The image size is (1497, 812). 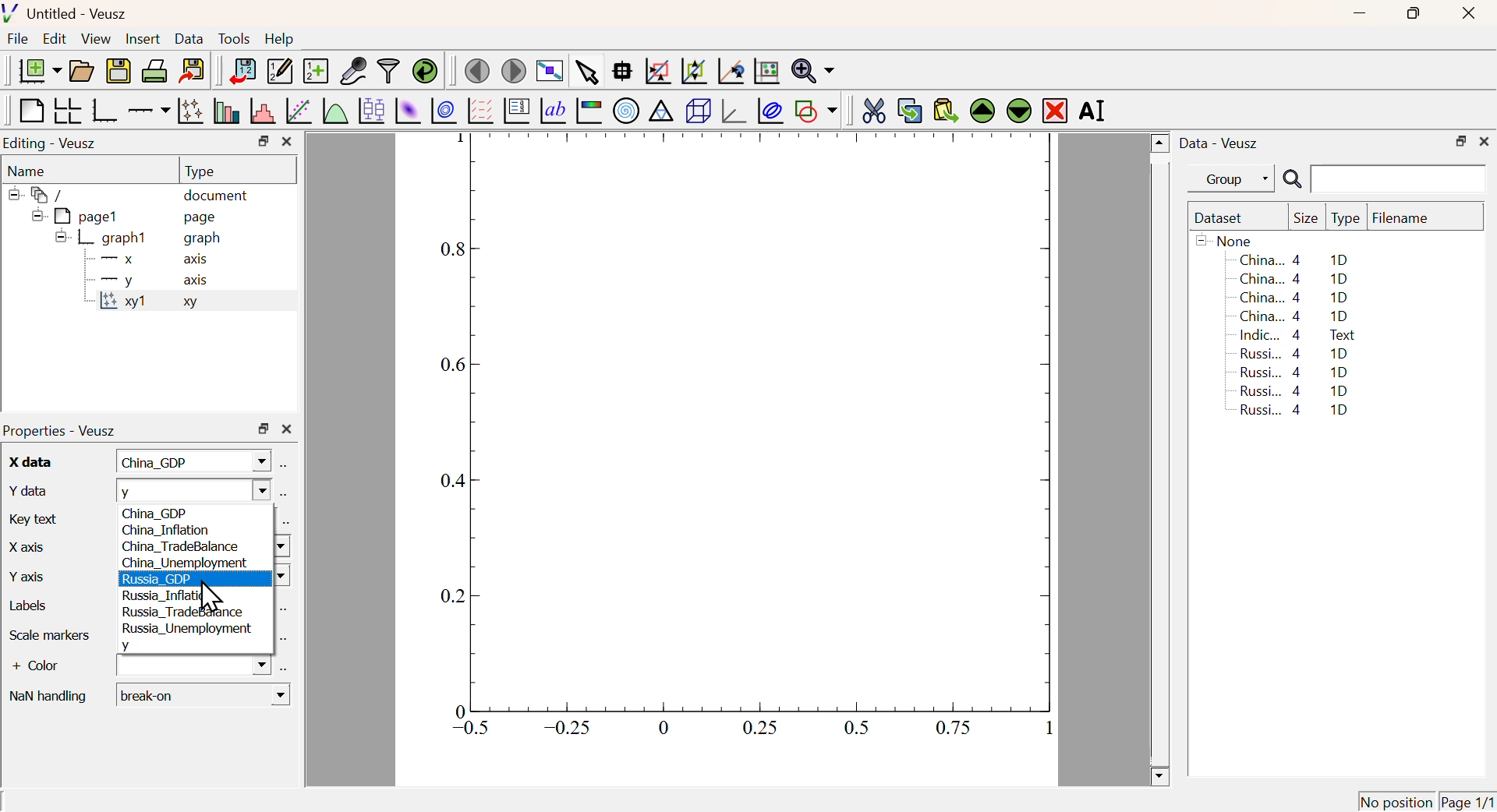 What do you see at coordinates (286, 466) in the screenshot?
I see `Select using dataset Browser` at bounding box center [286, 466].